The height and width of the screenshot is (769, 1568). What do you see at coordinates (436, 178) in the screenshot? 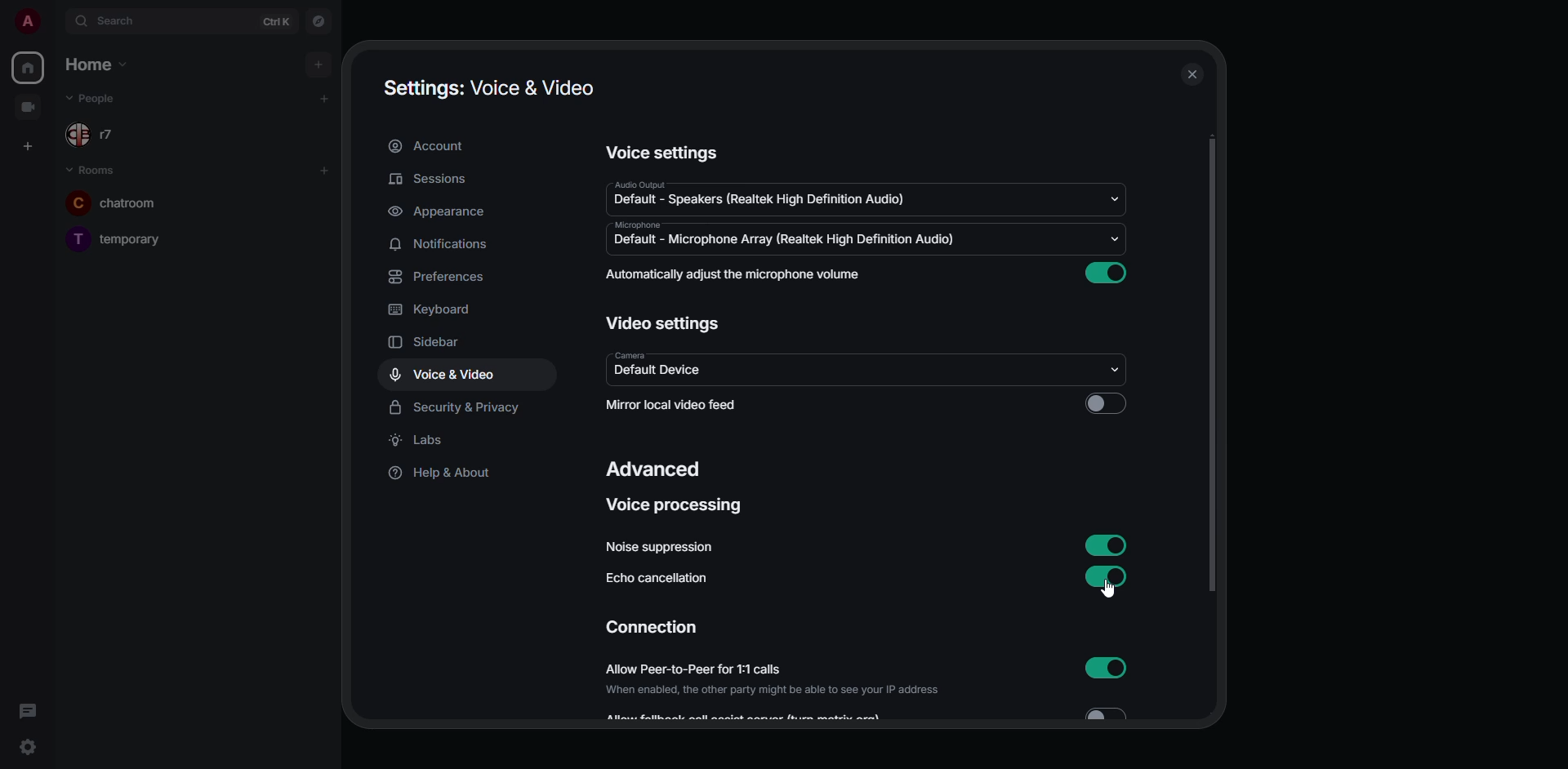
I see `sessions` at bounding box center [436, 178].